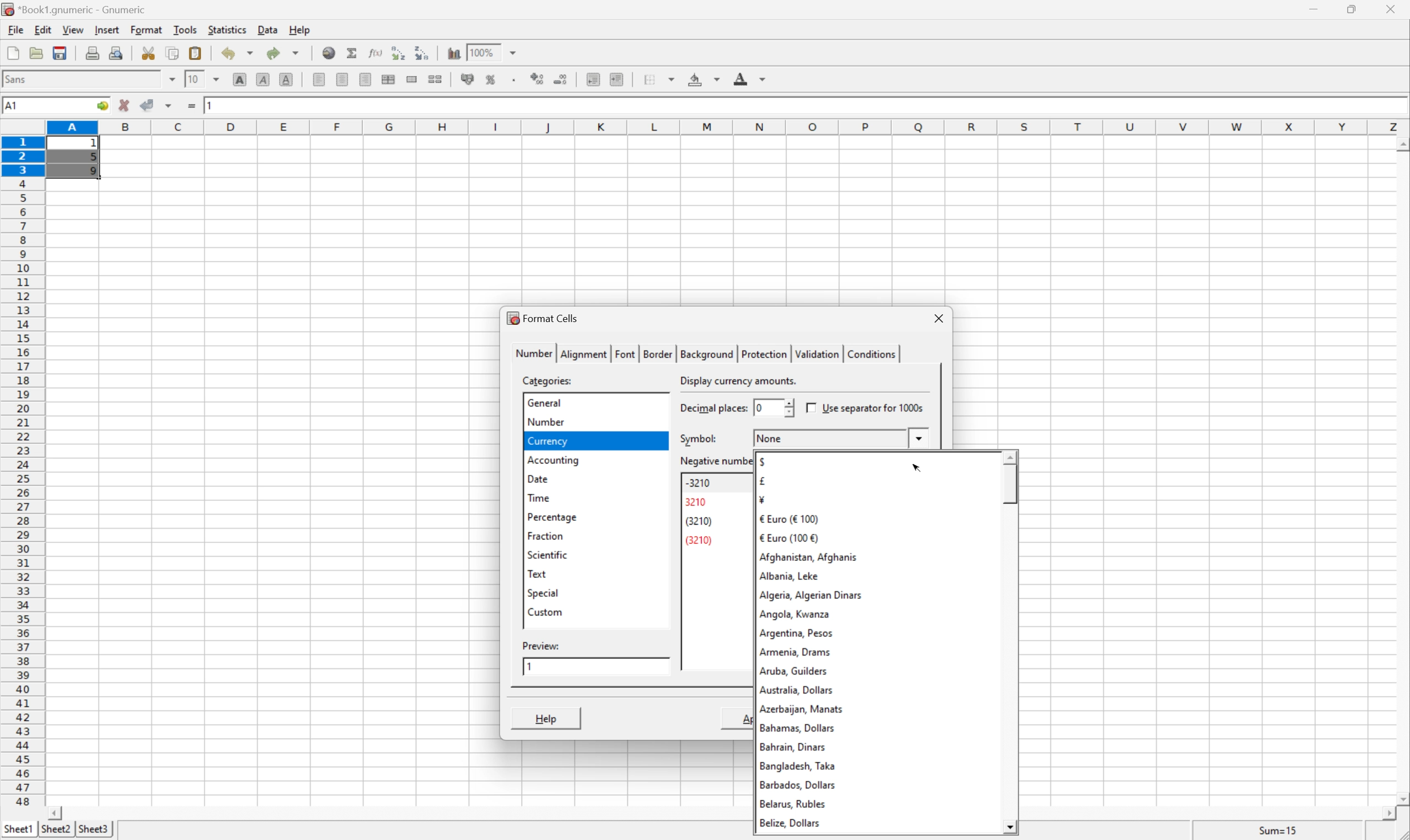 The width and height of the screenshot is (1410, 840). What do you see at coordinates (537, 478) in the screenshot?
I see `date` at bounding box center [537, 478].